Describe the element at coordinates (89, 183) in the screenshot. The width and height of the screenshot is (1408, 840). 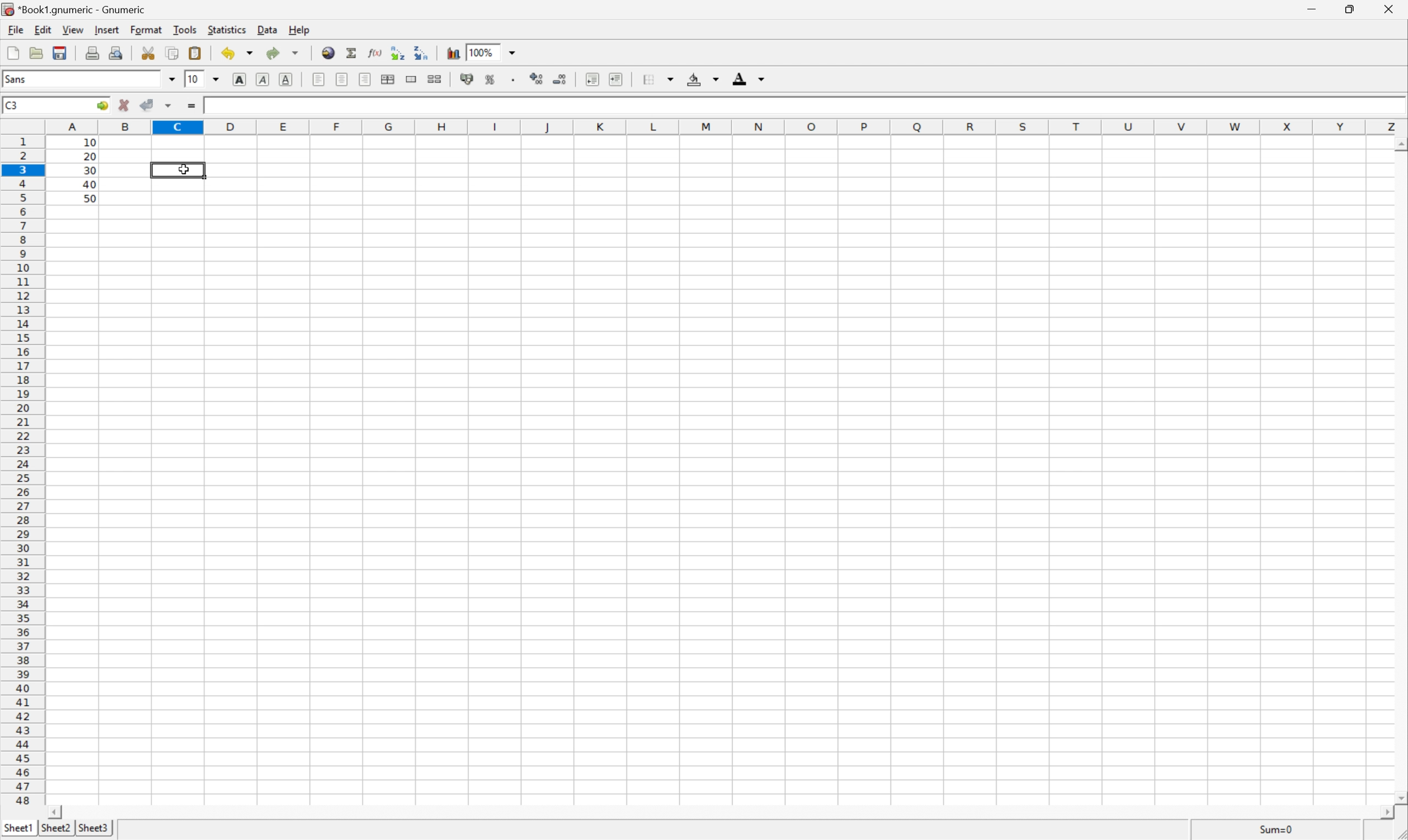
I see `40` at that location.